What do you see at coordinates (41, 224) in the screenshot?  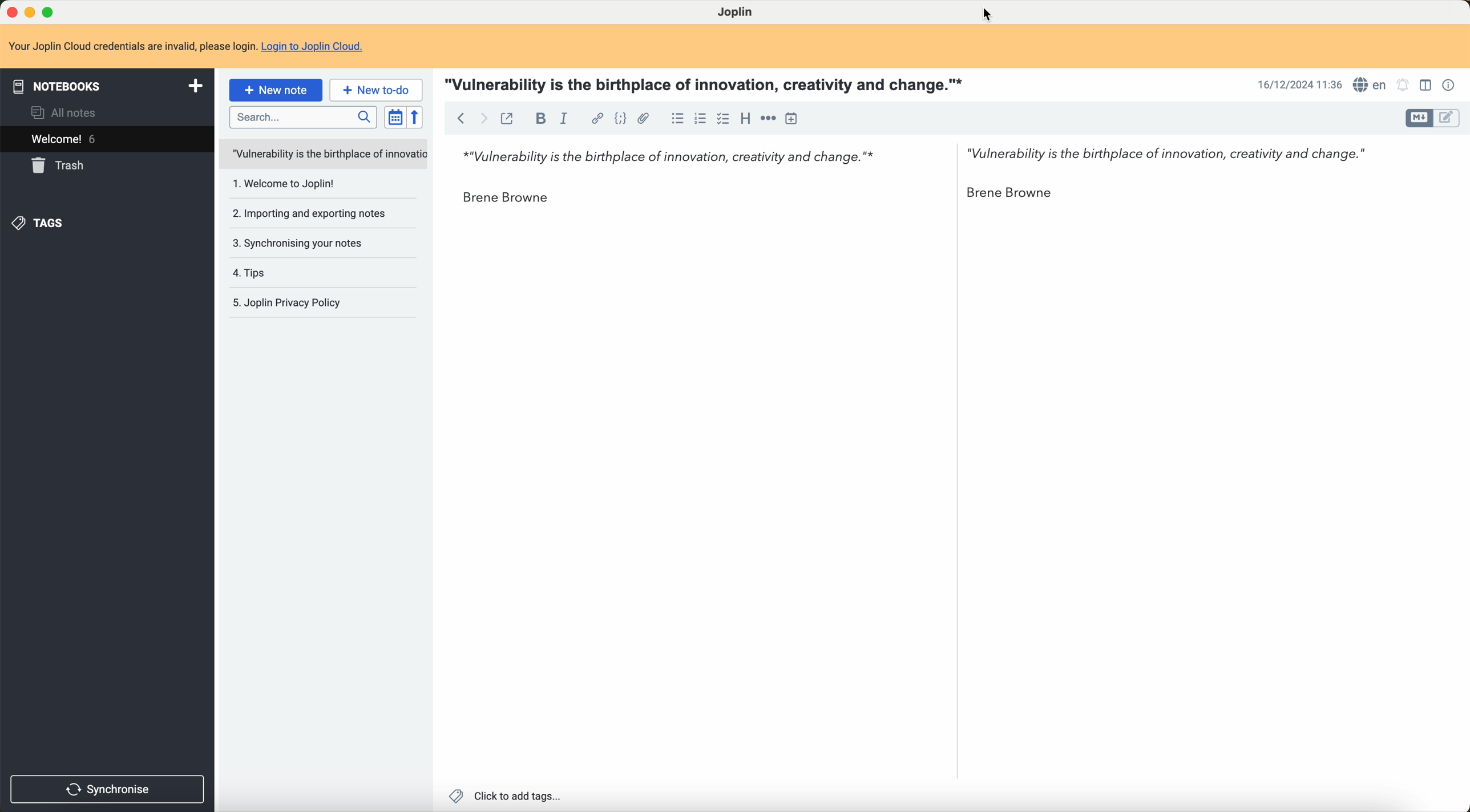 I see `tags` at bounding box center [41, 224].